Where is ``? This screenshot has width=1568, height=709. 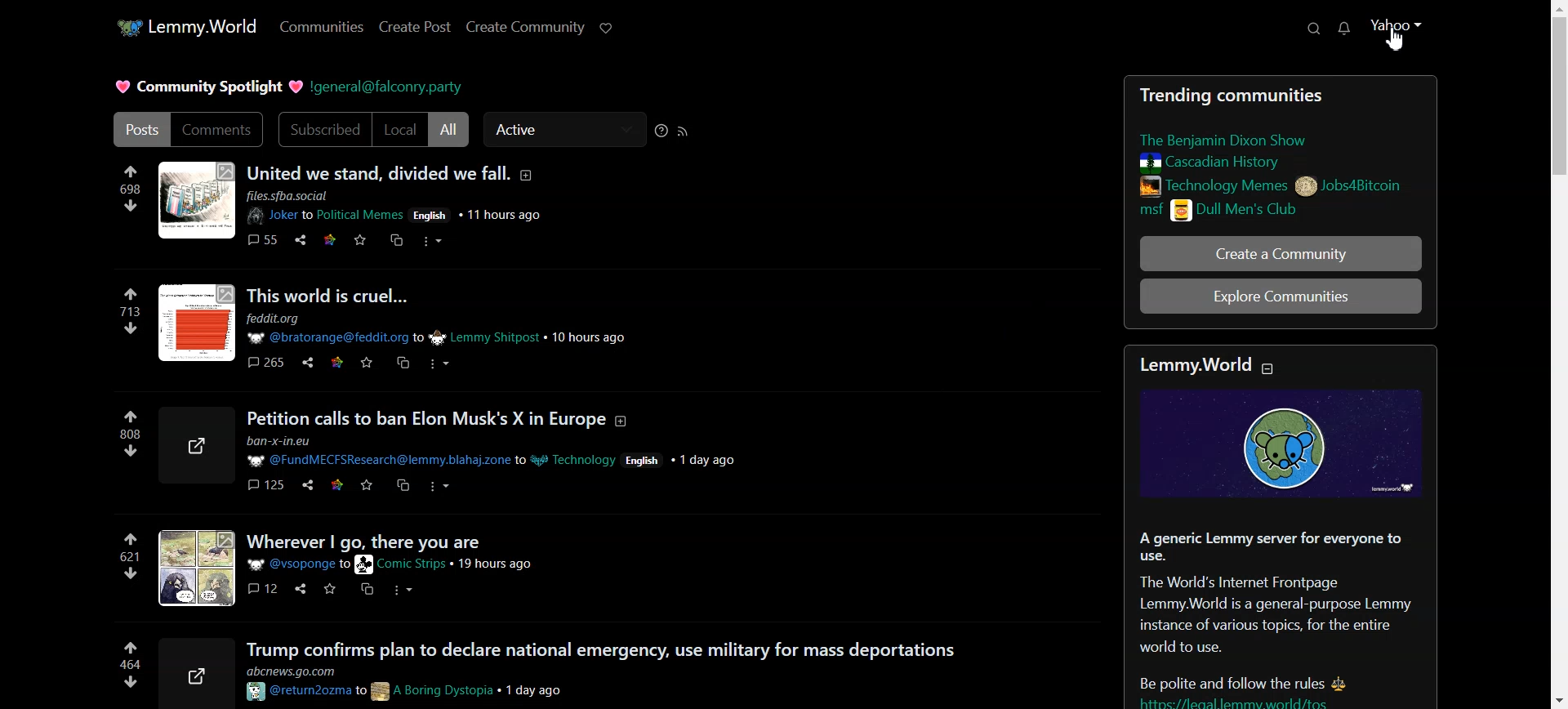
 is located at coordinates (499, 565).